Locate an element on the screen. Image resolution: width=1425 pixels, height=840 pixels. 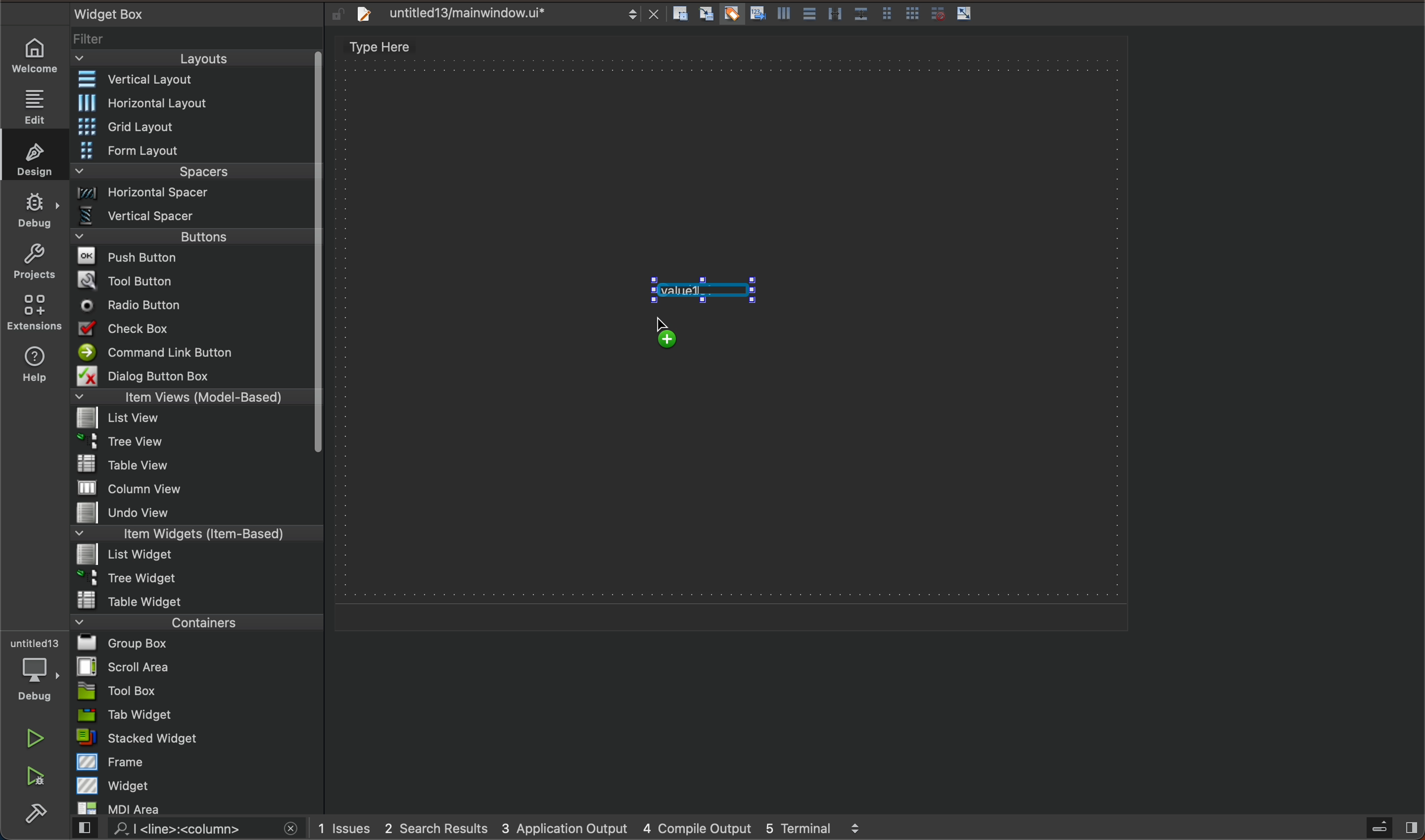
check box is located at coordinates (192, 331).